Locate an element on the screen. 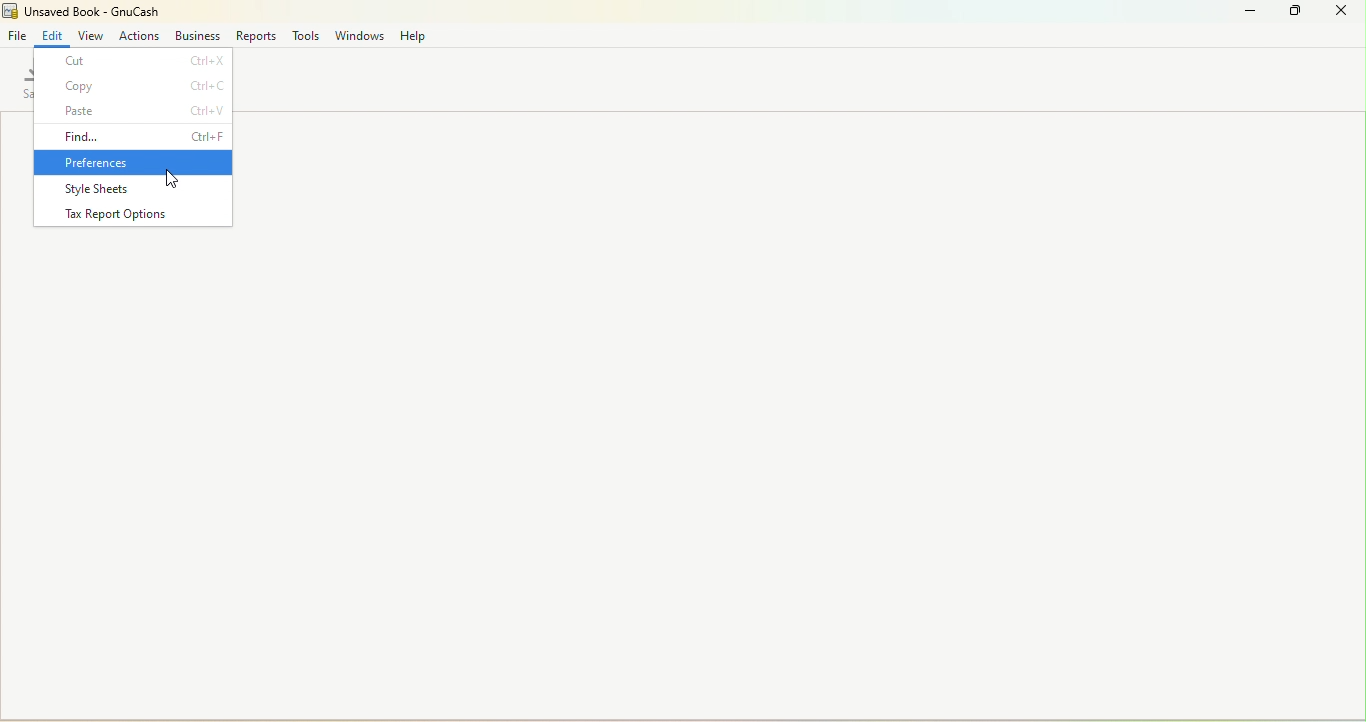 This screenshot has width=1366, height=722. Maximize is located at coordinates (1291, 12).